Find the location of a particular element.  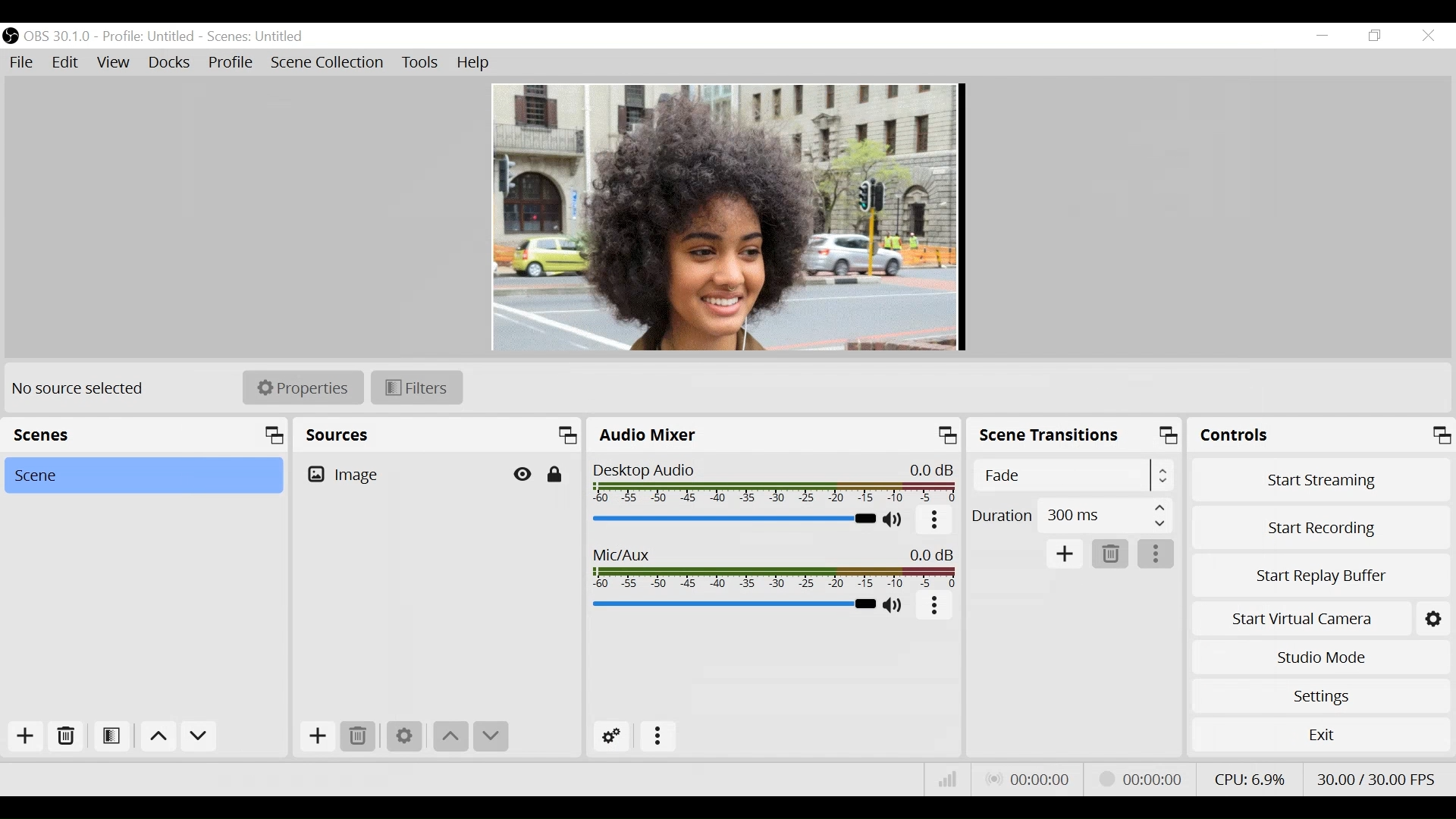

Streaming Status is located at coordinates (1138, 778).